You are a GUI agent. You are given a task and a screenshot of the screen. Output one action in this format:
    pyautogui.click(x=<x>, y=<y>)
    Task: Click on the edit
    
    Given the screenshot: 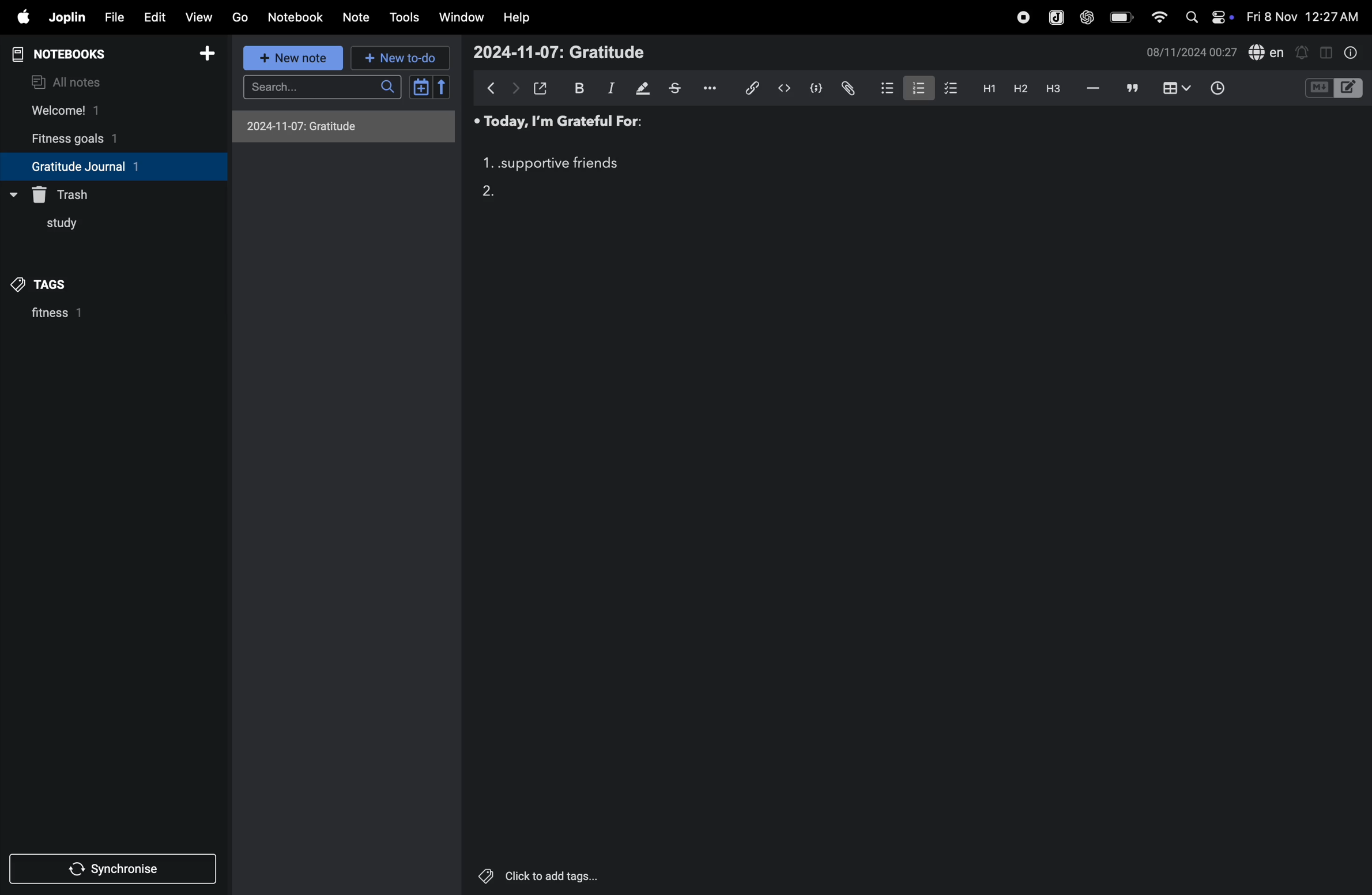 What is the action you would take?
    pyautogui.click(x=154, y=18)
    